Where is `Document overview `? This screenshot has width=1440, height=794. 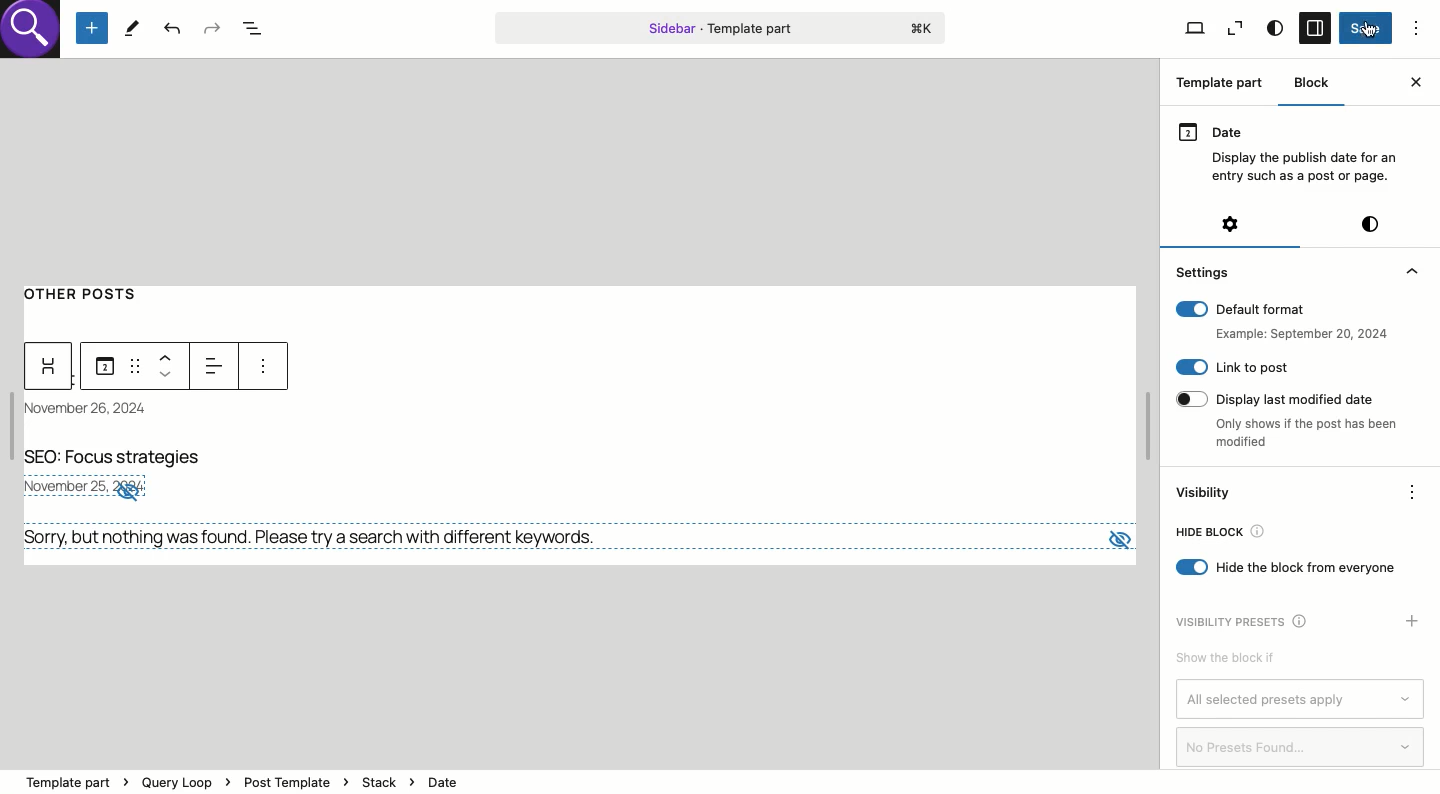 Document overview  is located at coordinates (259, 30).